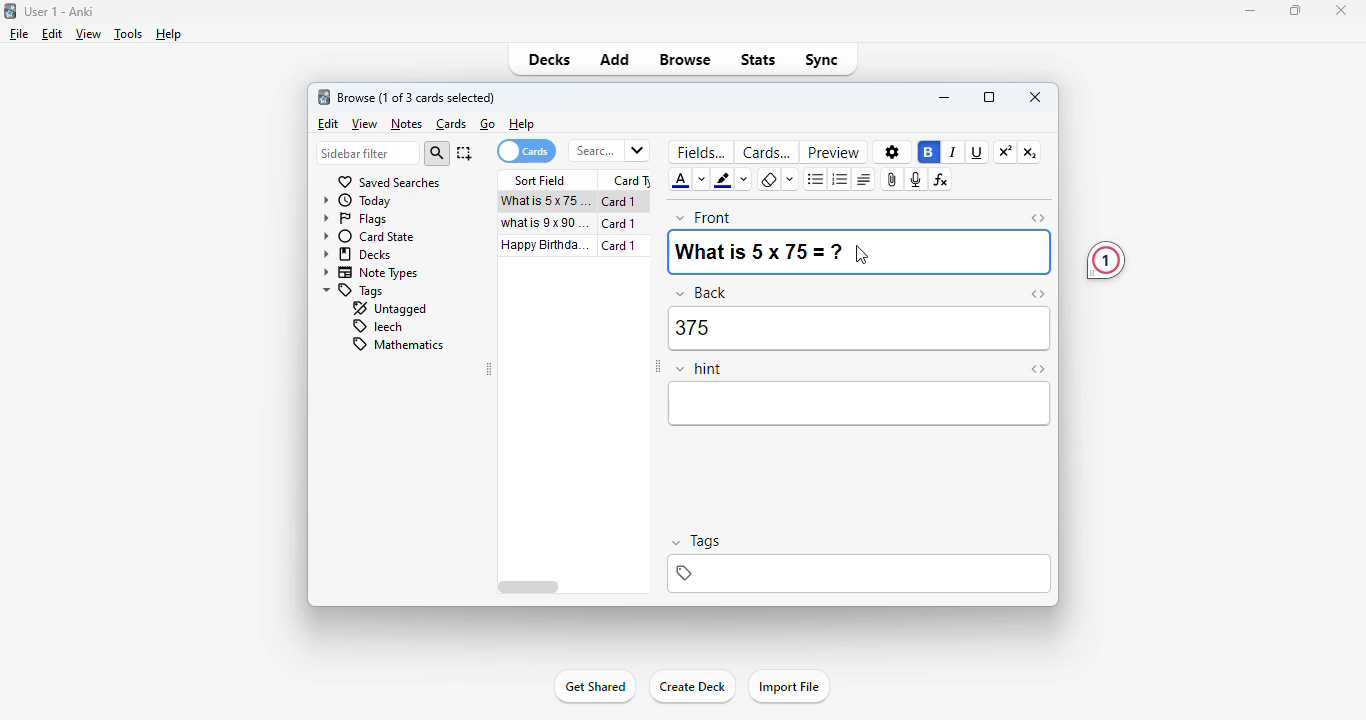  What do you see at coordinates (60, 11) in the screenshot?
I see `User 1 - Anki` at bounding box center [60, 11].